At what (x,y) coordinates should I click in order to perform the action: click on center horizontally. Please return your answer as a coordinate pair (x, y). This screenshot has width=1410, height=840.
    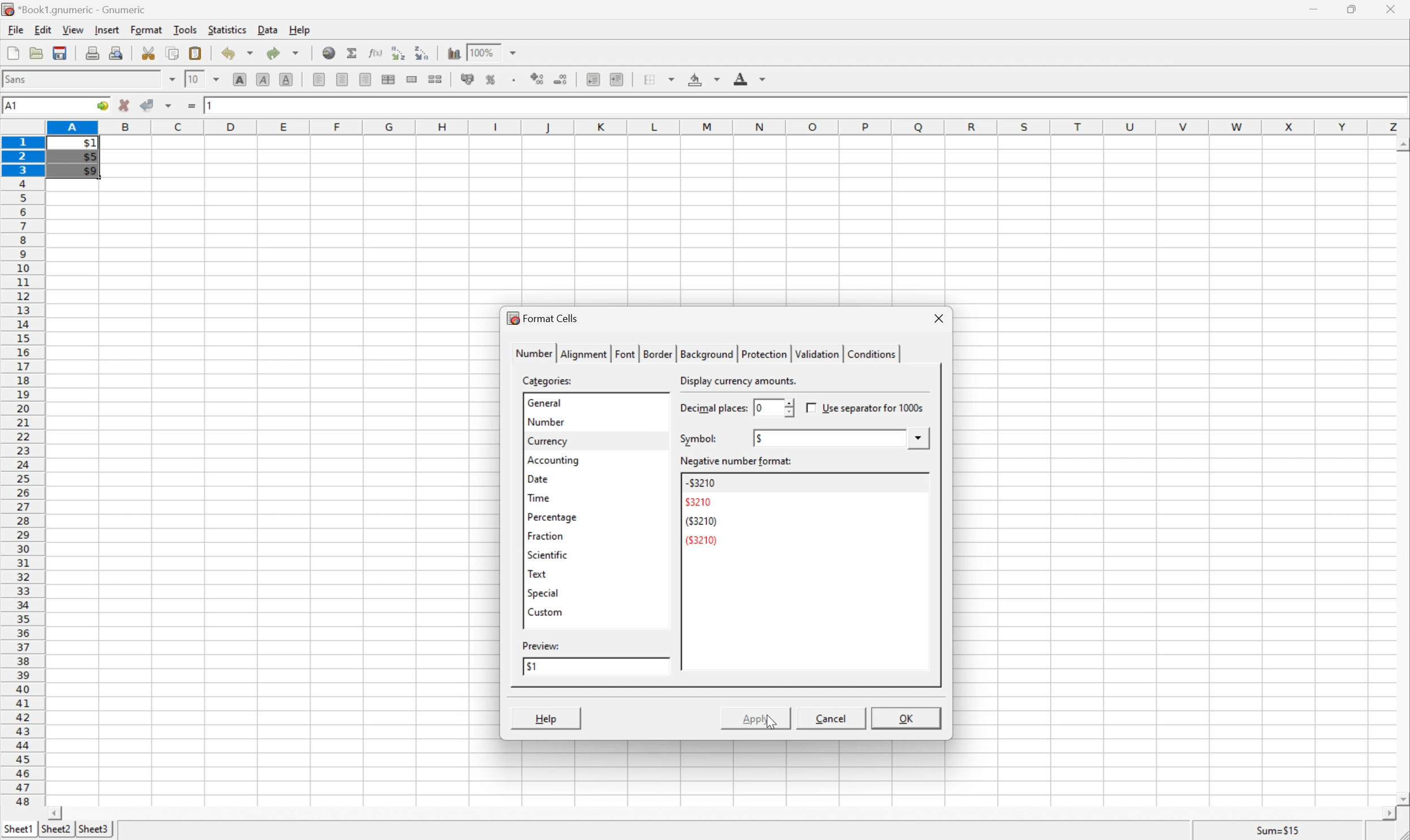
    Looking at the image, I should click on (390, 78).